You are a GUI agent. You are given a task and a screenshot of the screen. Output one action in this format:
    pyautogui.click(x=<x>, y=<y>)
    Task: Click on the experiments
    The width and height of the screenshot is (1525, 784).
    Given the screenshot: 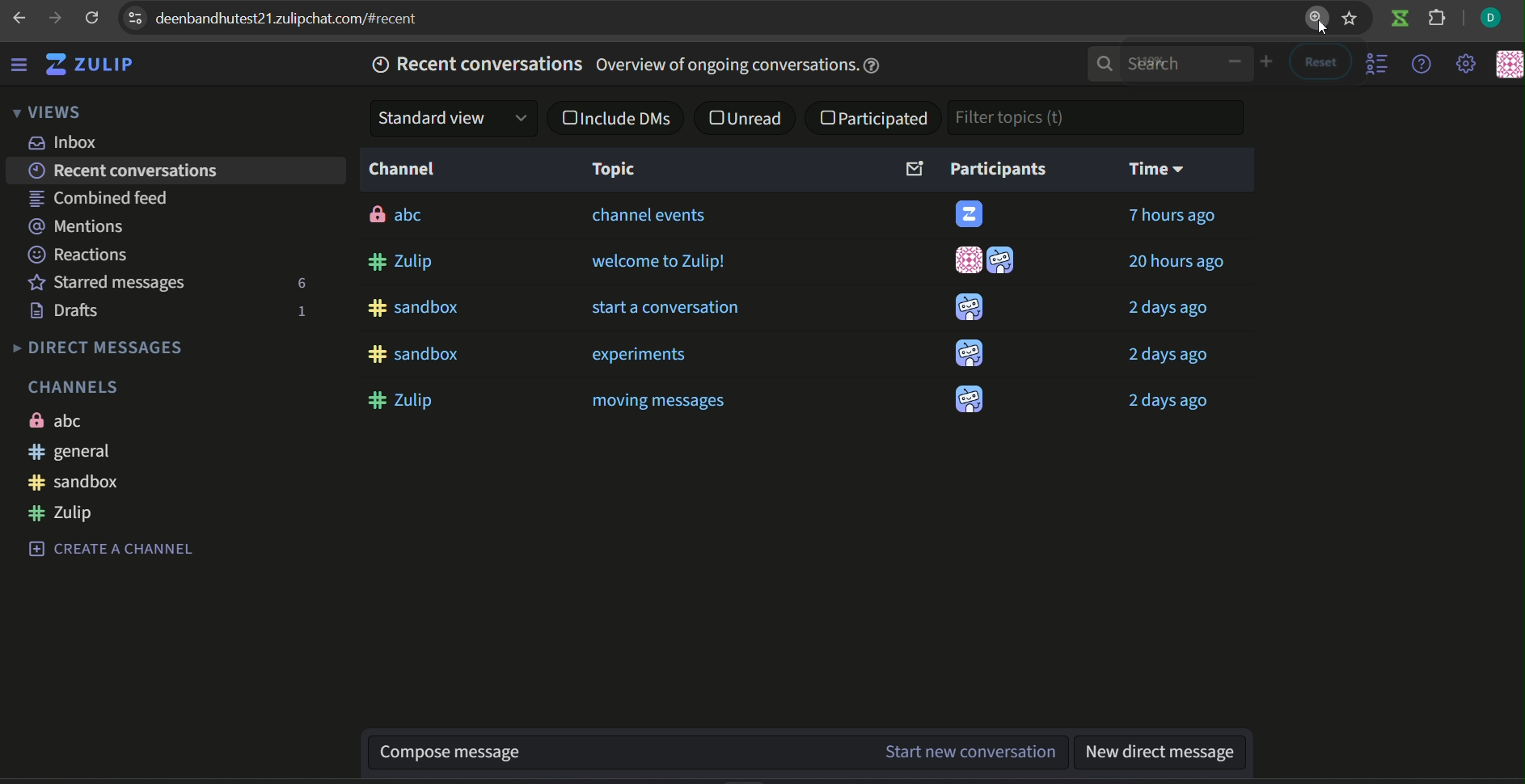 What is the action you would take?
    pyautogui.click(x=648, y=357)
    